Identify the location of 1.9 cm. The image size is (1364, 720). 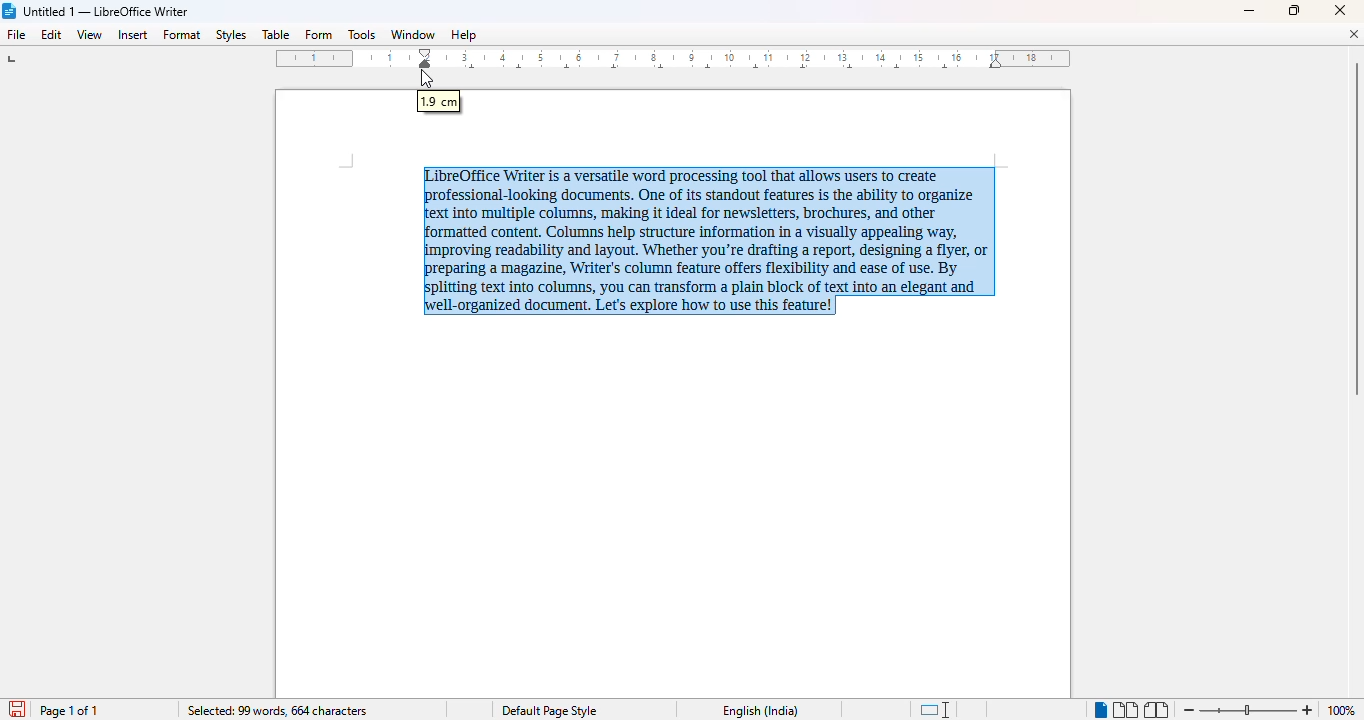
(440, 102).